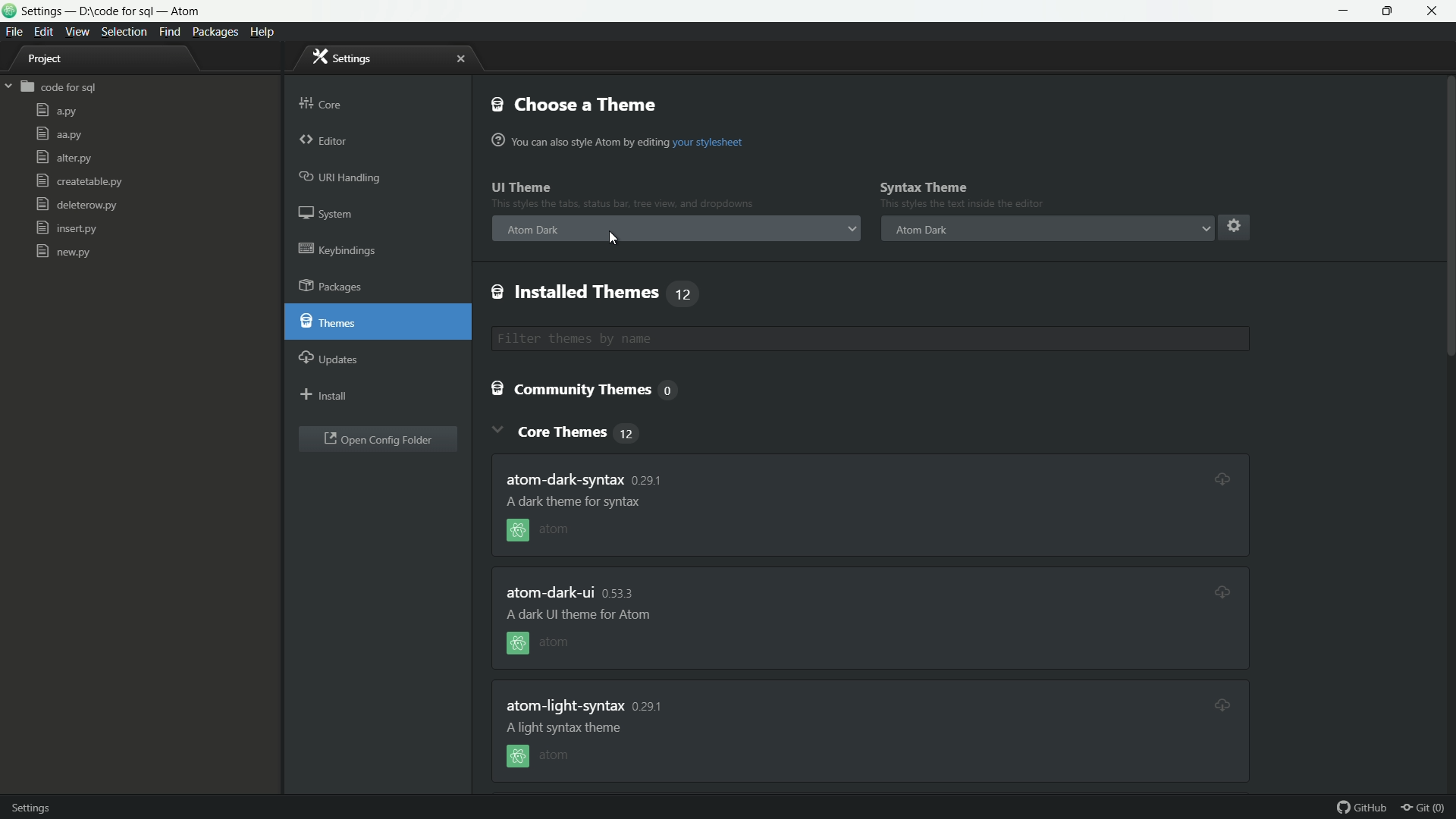 This screenshot has height=819, width=1456. I want to click on editor, so click(324, 142).